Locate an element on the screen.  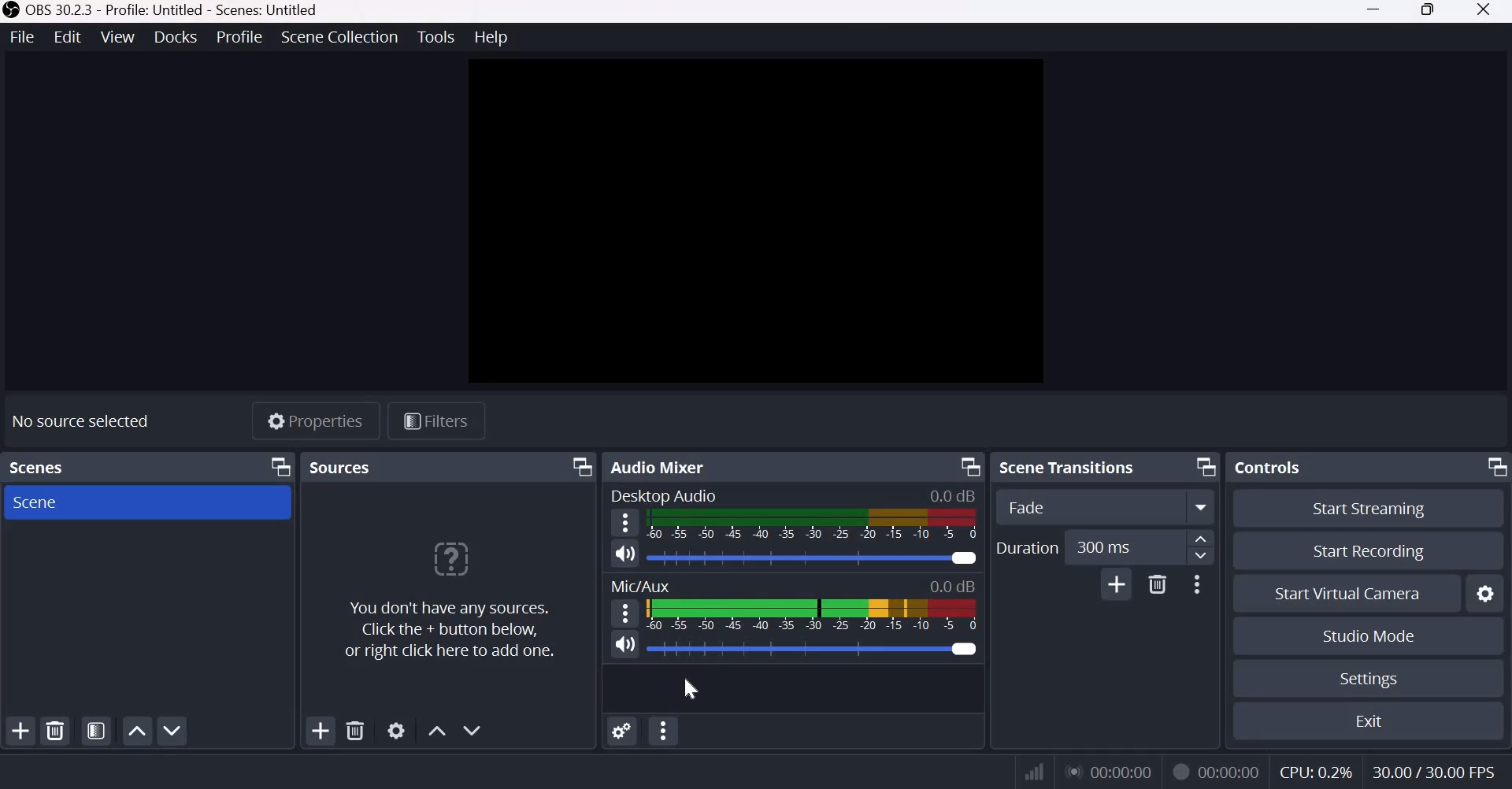
CPU Usage is located at coordinates (1315, 769).